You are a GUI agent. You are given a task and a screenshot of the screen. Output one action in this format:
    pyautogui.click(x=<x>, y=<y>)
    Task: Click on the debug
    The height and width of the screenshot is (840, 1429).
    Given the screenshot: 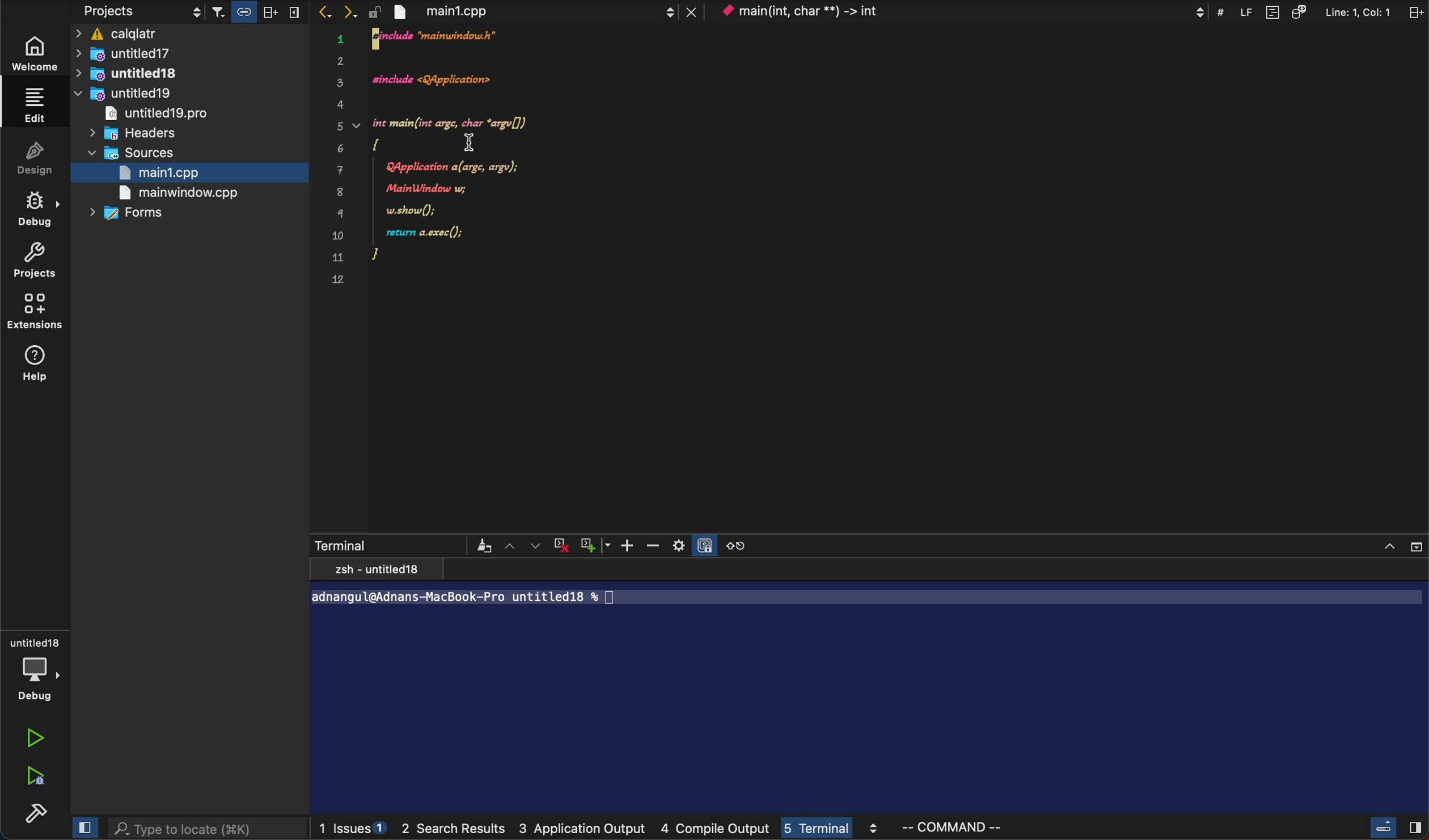 What is the action you would take?
    pyautogui.click(x=34, y=667)
    